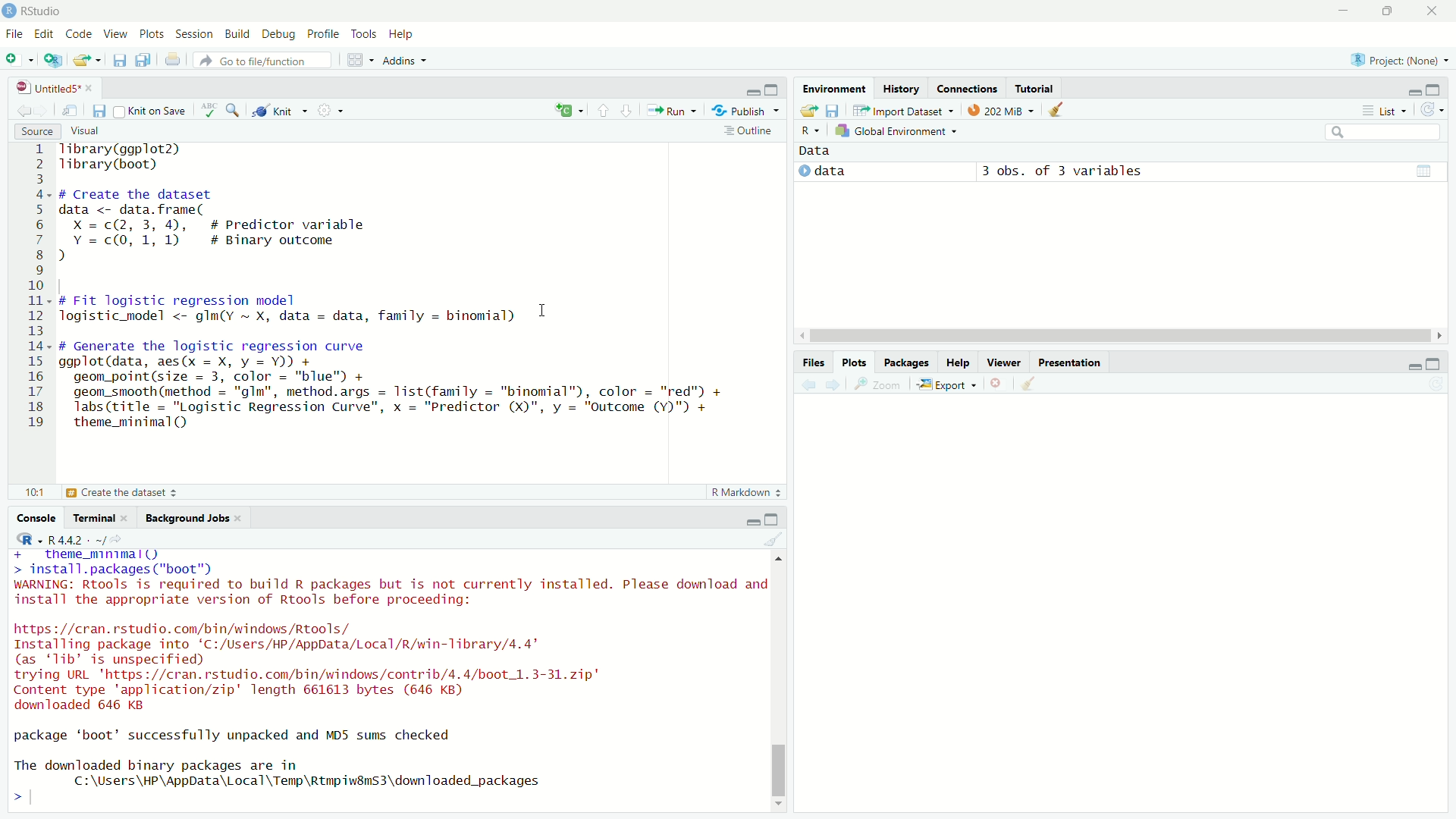 The width and height of the screenshot is (1456, 819). What do you see at coordinates (1121, 336) in the screenshot?
I see `horizontal scroll bar` at bounding box center [1121, 336].